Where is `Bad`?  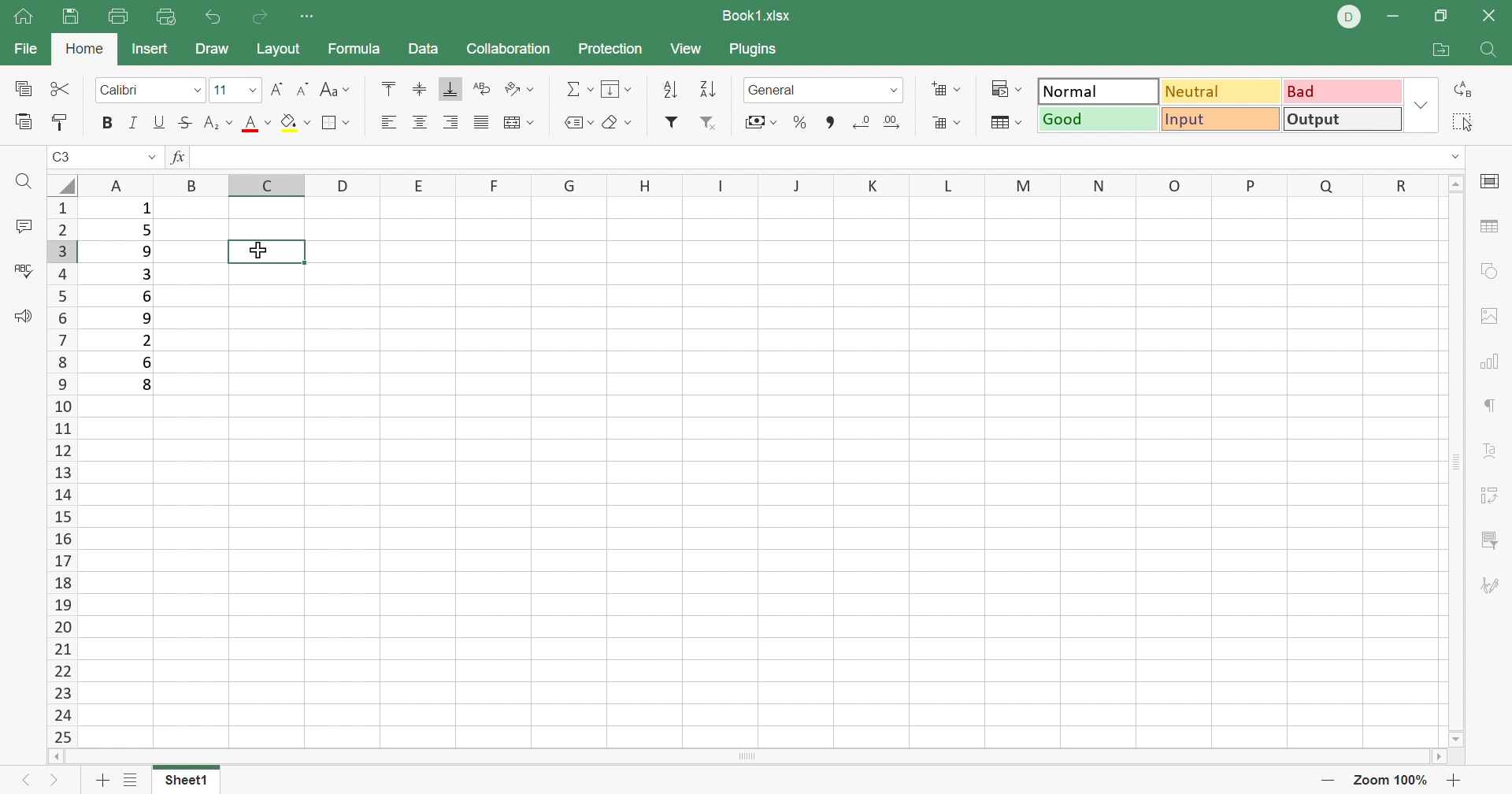 Bad is located at coordinates (1344, 92).